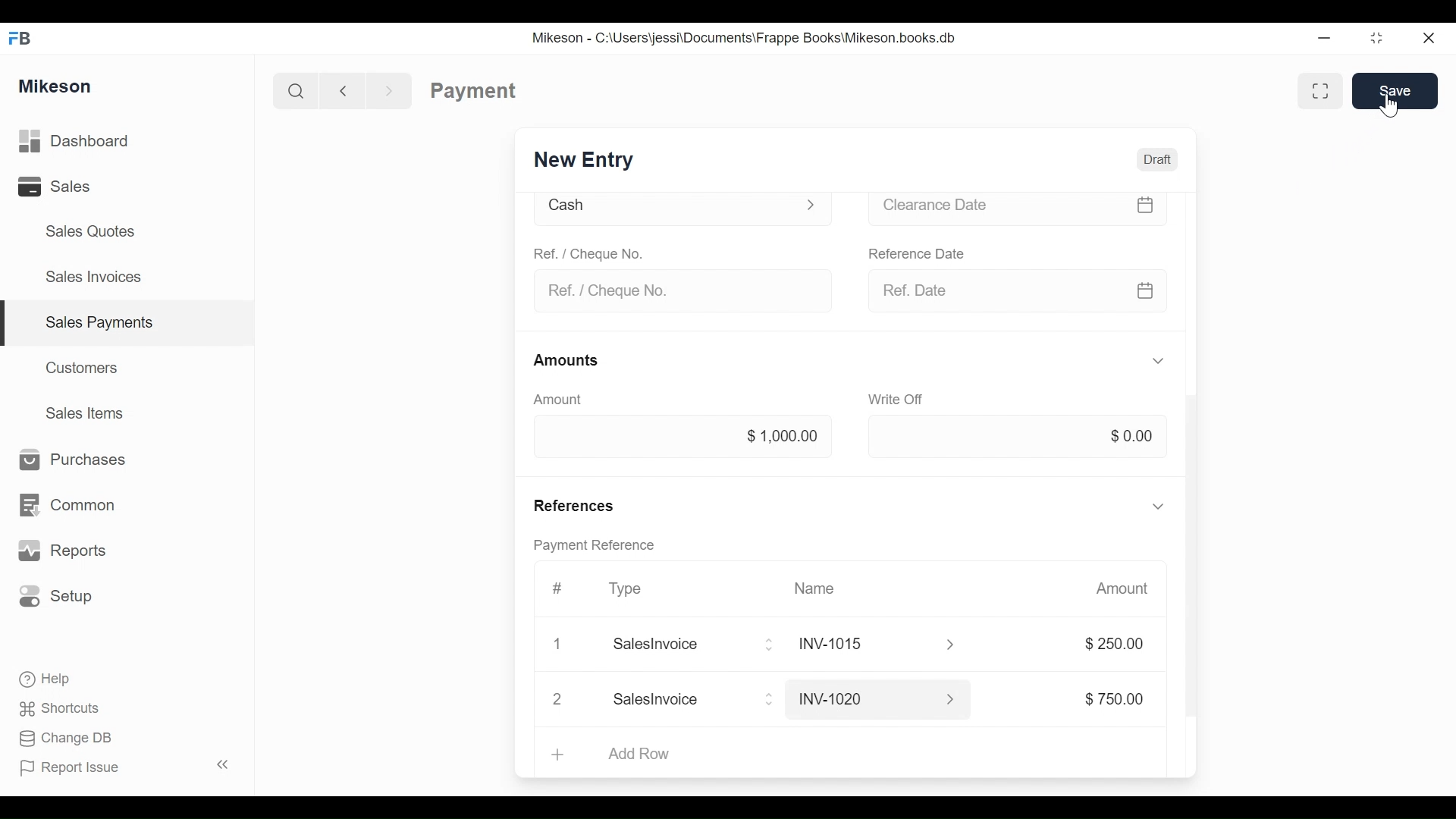 The width and height of the screenshot is (1456, 819). Describe the element at coordinates (1158, 360) in the screenshot. I see `Hide` at that location.